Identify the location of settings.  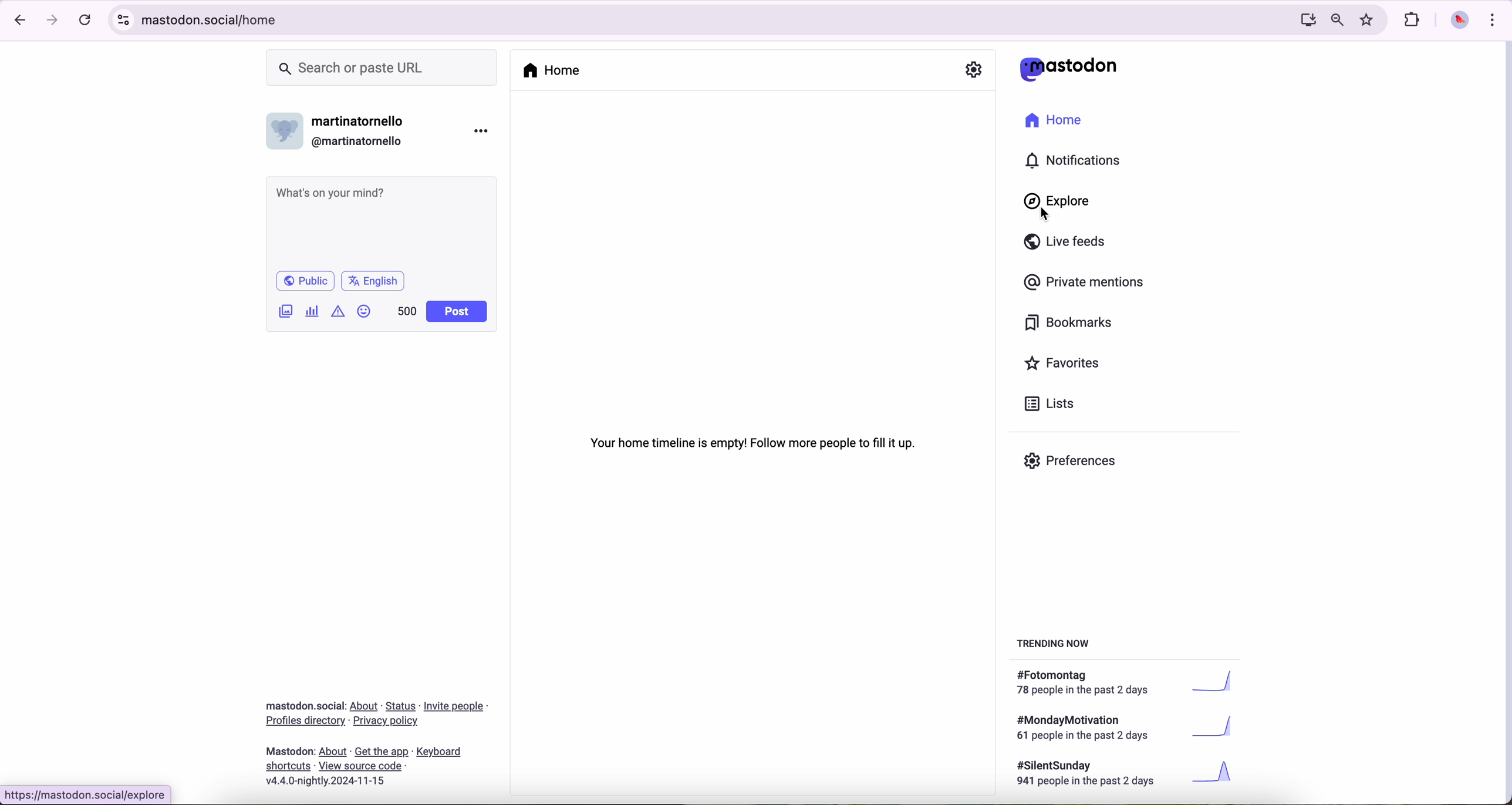
(974, 70).